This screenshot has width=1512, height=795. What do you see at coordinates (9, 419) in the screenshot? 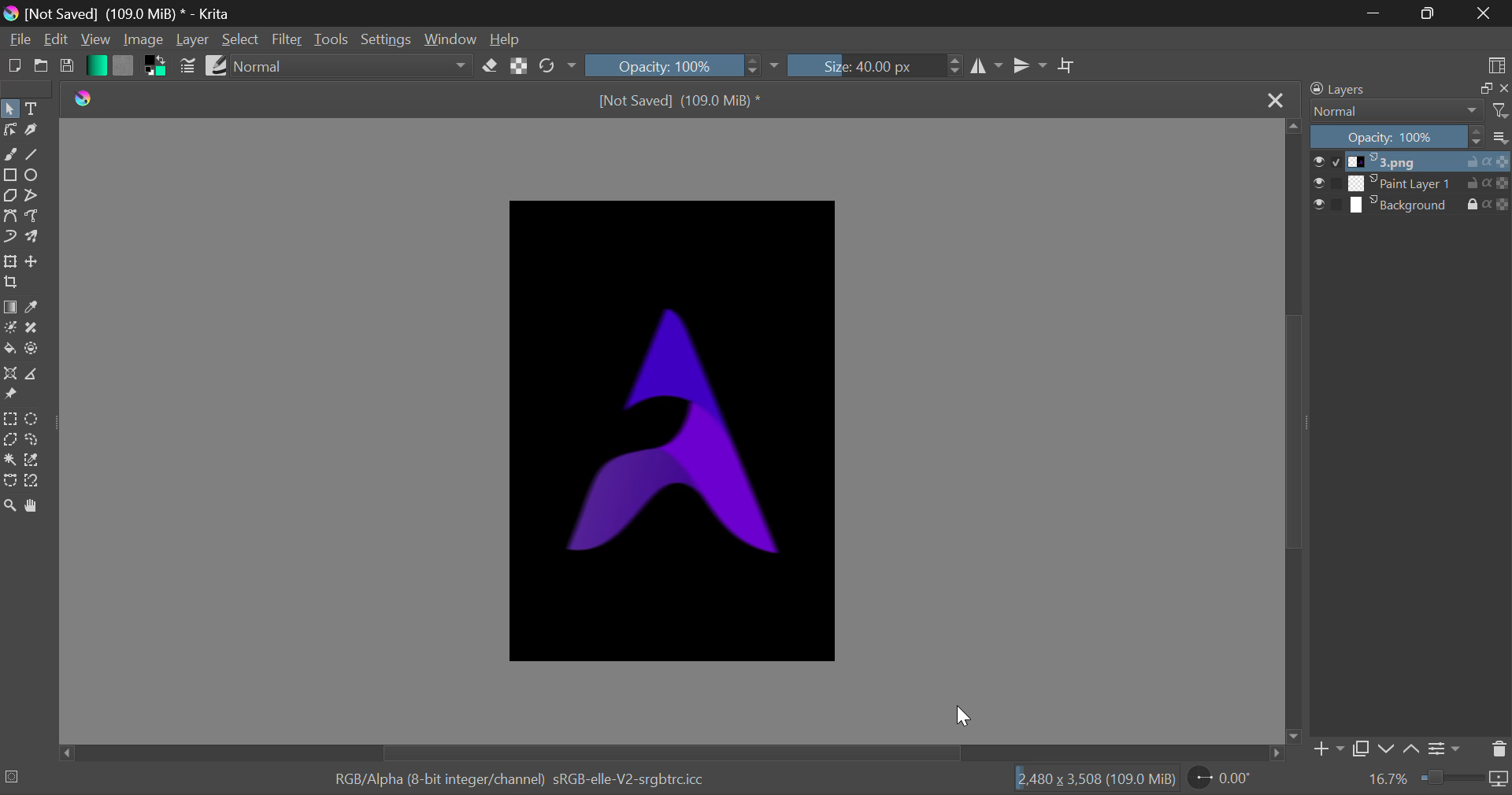
I see `Rectangular Selection` at bounding box center [9, 419].